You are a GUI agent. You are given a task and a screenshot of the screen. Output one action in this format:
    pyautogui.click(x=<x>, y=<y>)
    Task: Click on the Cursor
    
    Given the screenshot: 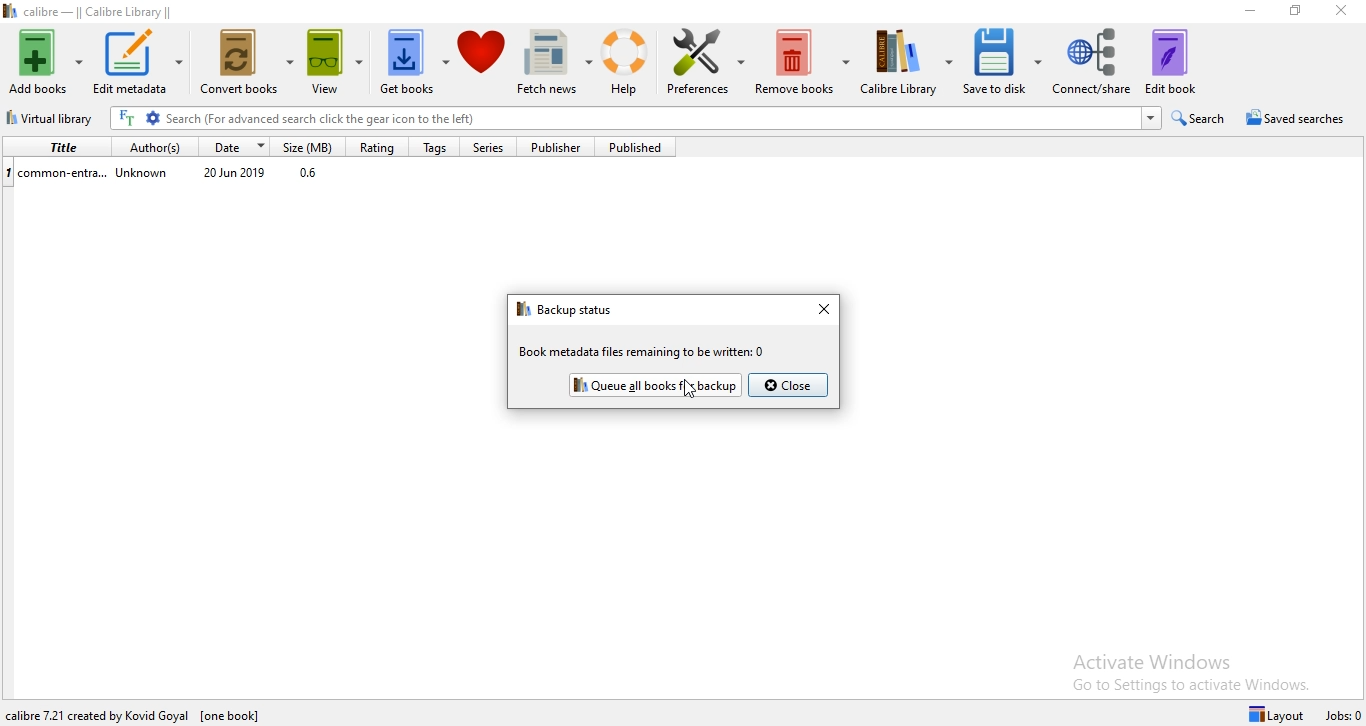 What is the action you would take?
    pyautogui.click(x=692, y=389)
    